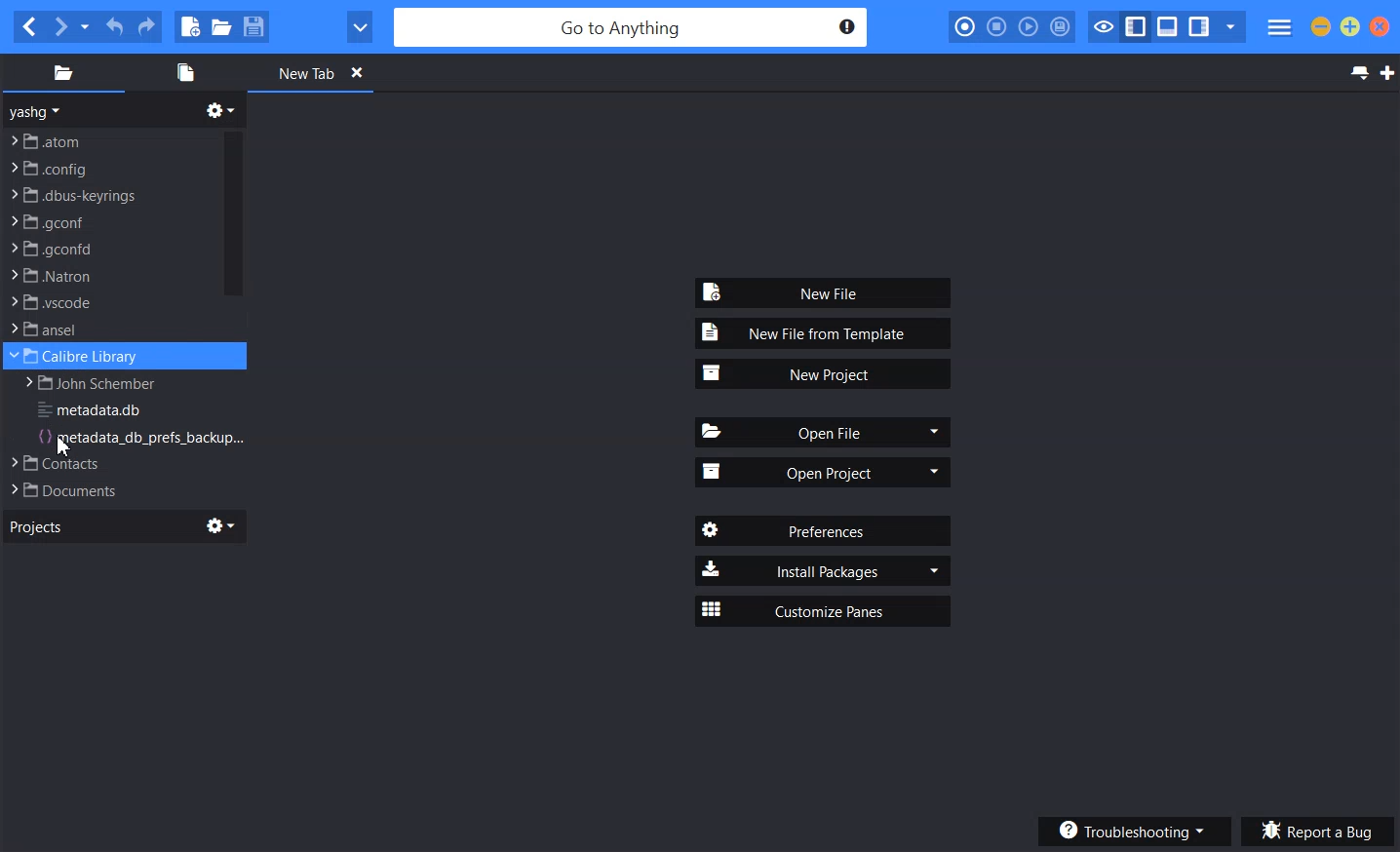  Describe the element at coordinates (85, 27) in the screenshot. I see `Recent location` at that location.